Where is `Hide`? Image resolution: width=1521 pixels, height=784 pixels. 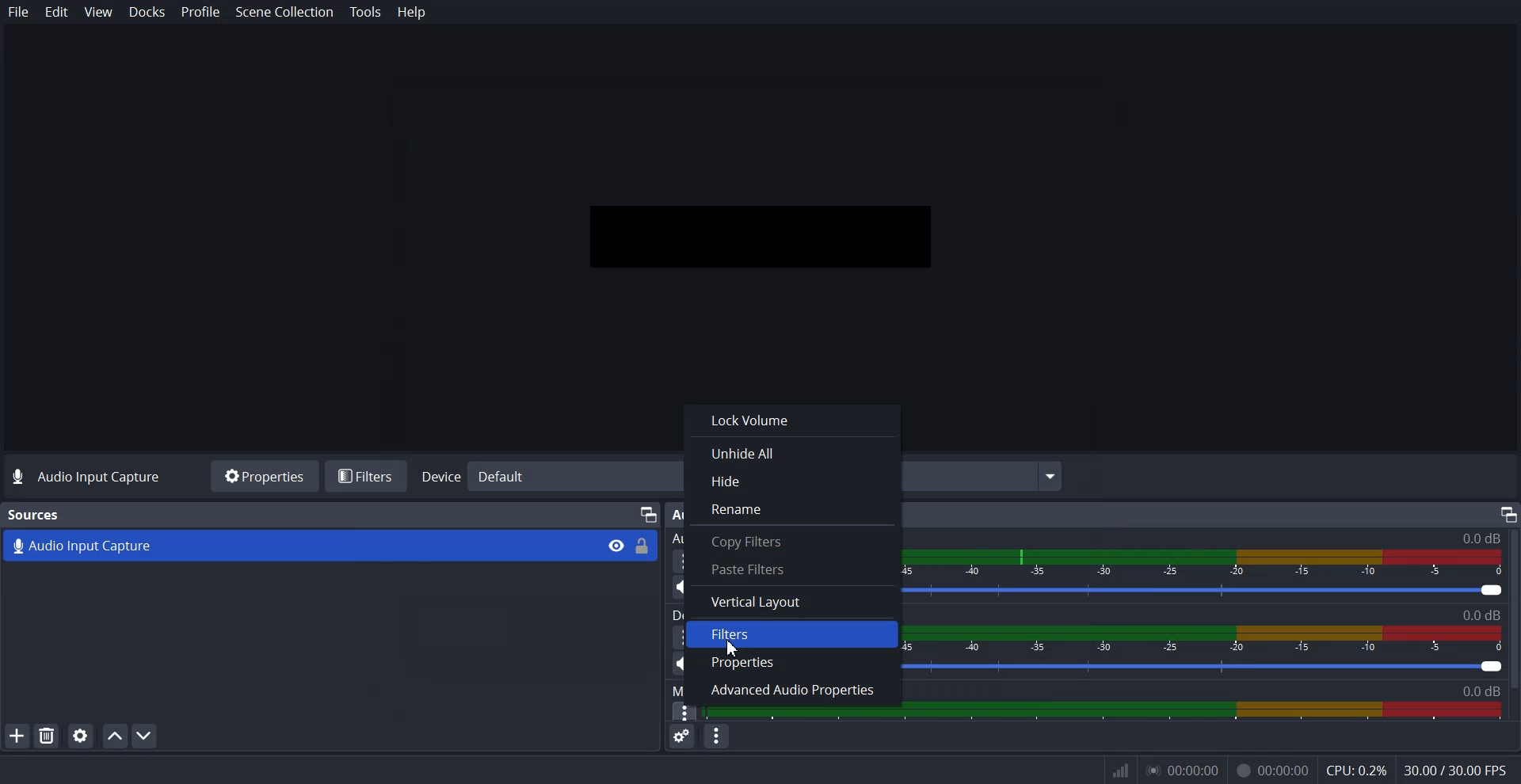 Hide is located at coordinates (799, 481).